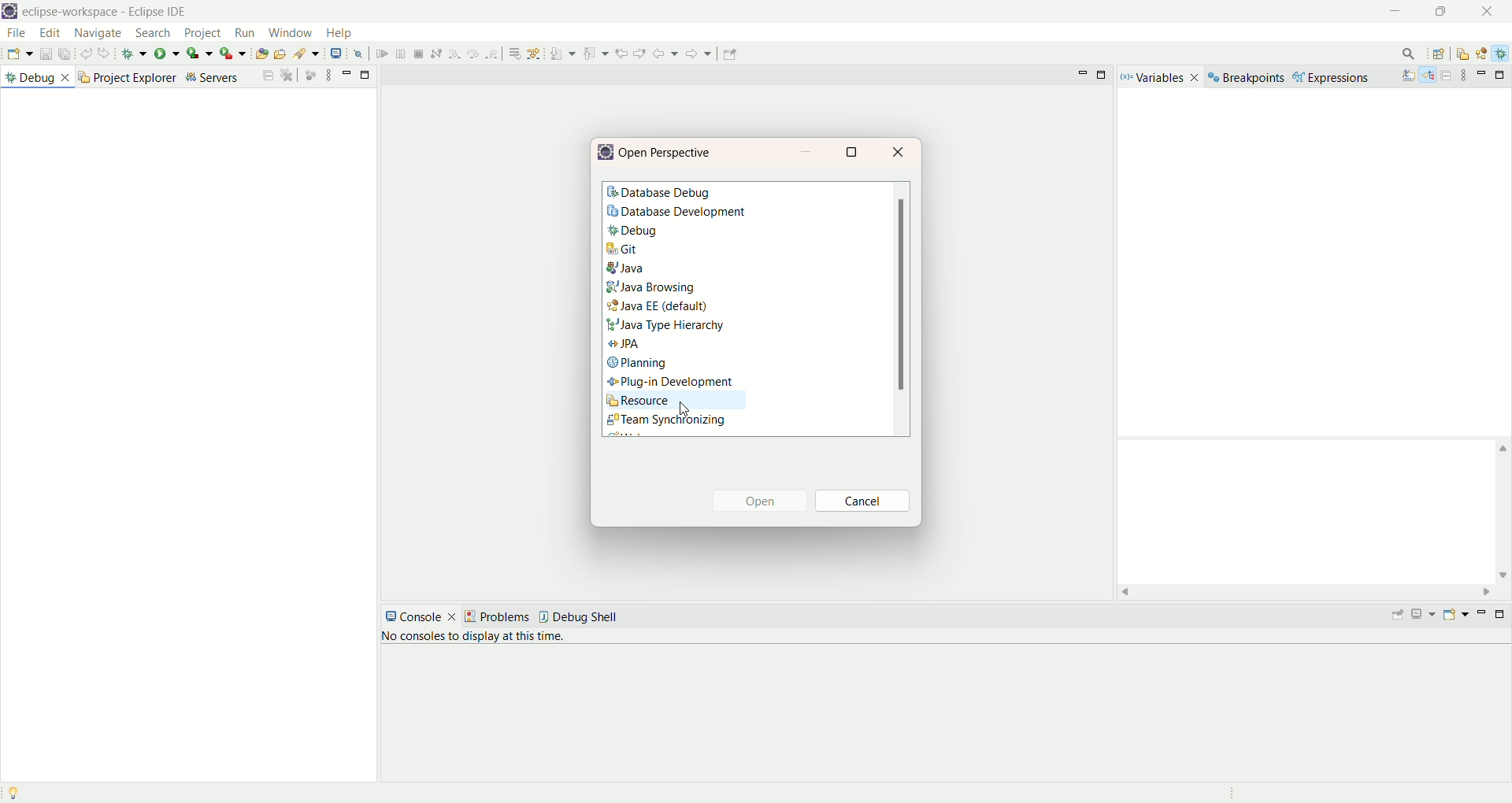  I want to click on maximize, so click(1503, 76).